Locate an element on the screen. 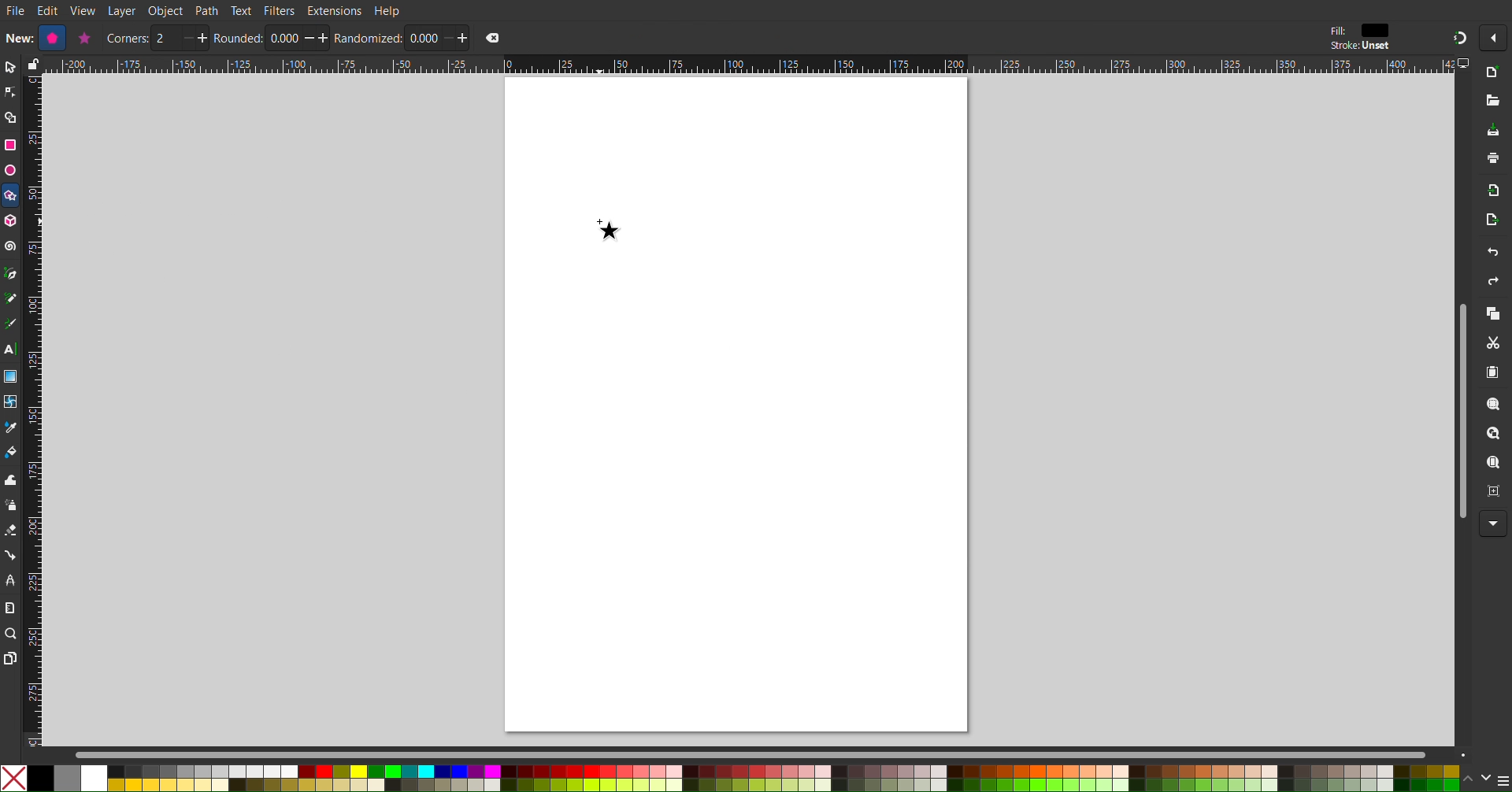  3D Box Tool is located at coordinates (11, 220).